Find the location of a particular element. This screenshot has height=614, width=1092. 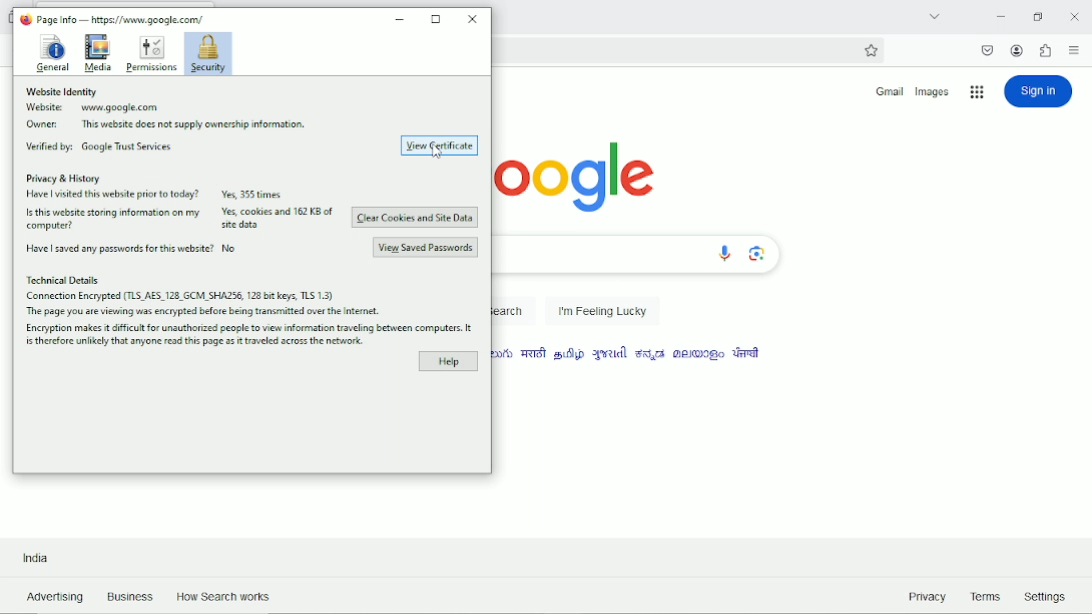

language is located at coordinates (531, 353).